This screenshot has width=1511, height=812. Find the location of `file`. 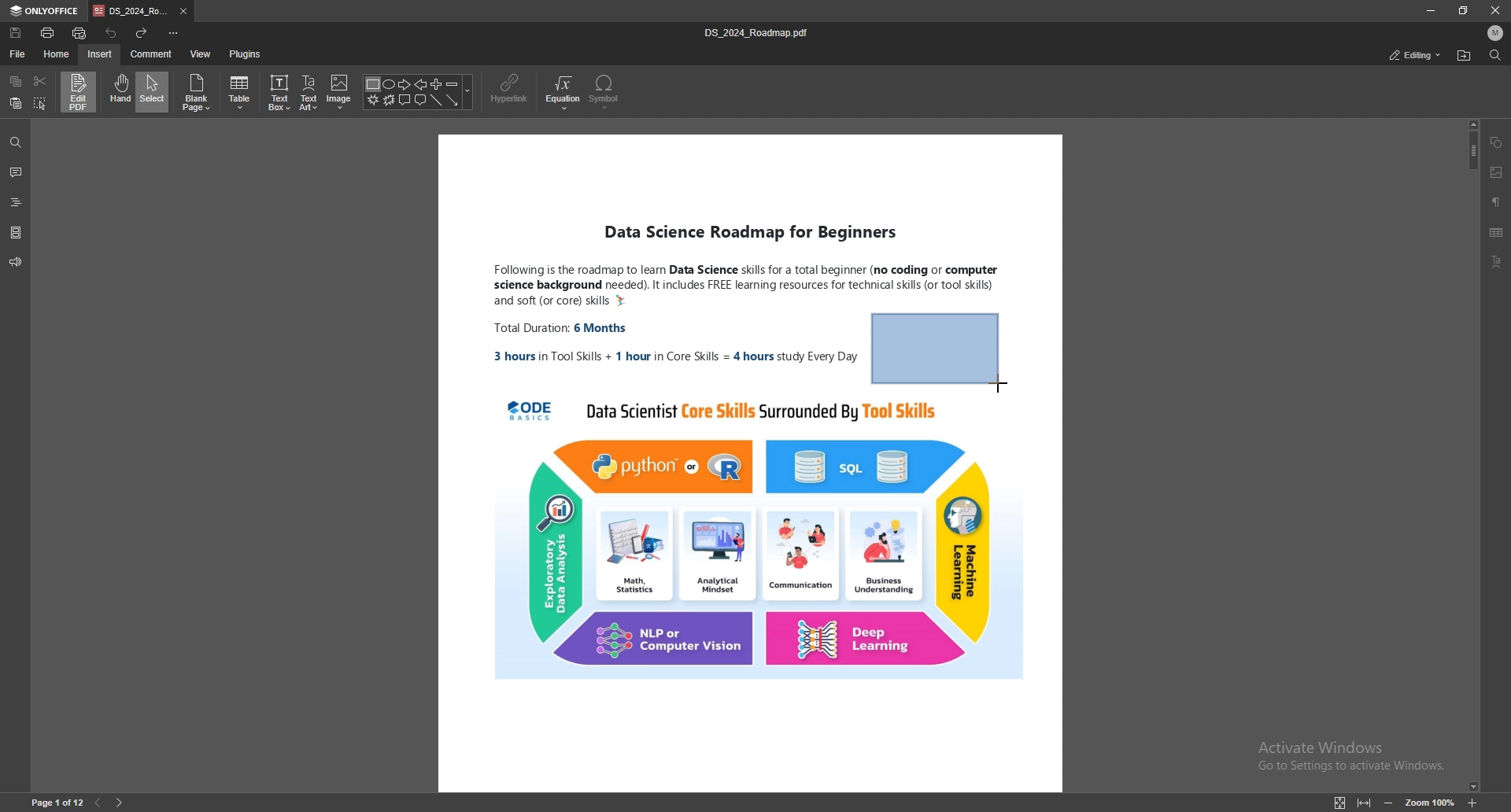

file is located at coordinates (18, 53).